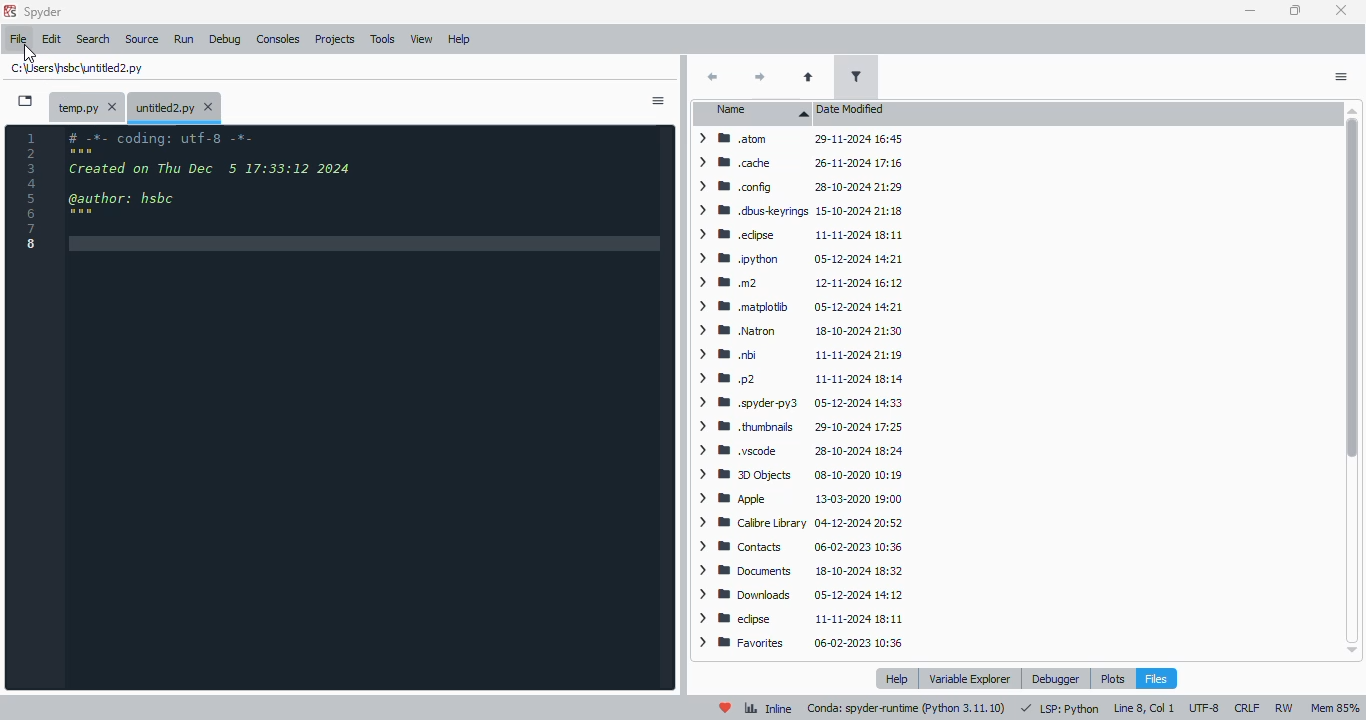 The image size is (1366, 720). I want to click on conda: spyder-runtime (pyton 3. 11. 10), so click(906, 710).